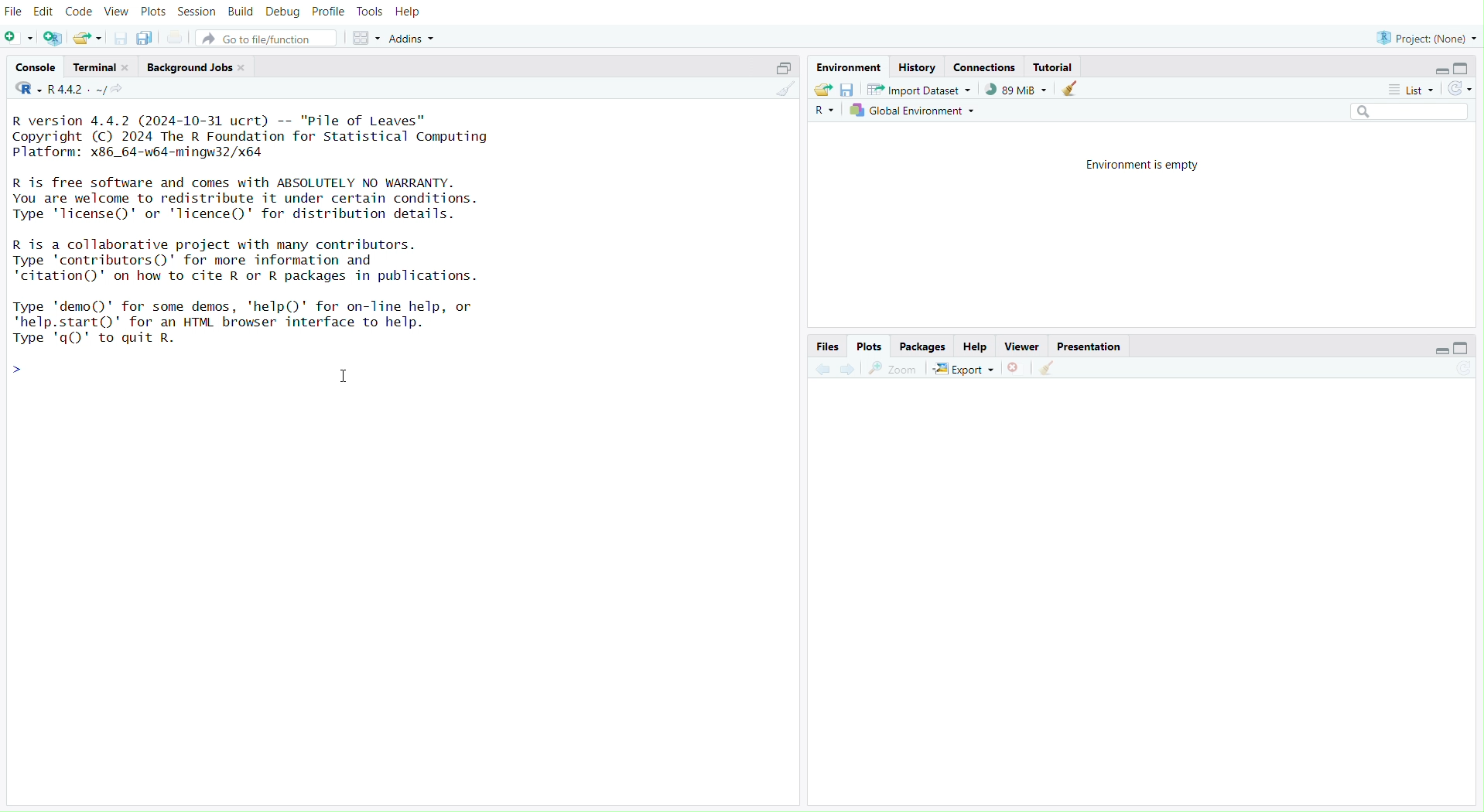 This screenshot has height=812, width=1484. Describe the element at coordinates (36, 67) in the screenshot. I see `Console` at that location.